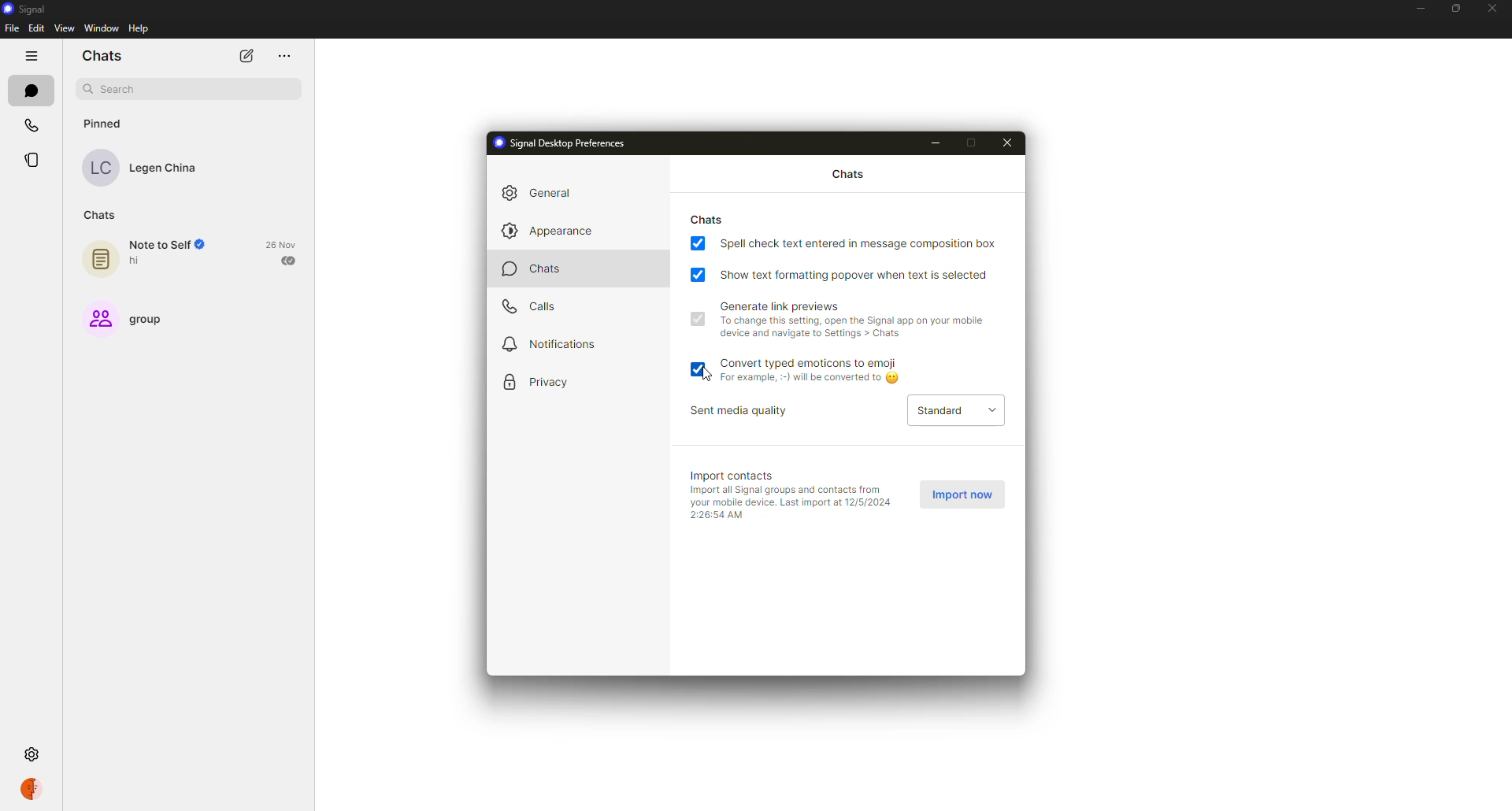 The width and height of the screenshot is (1512, 811). I want to click on sent media quality, so click(745, 410).